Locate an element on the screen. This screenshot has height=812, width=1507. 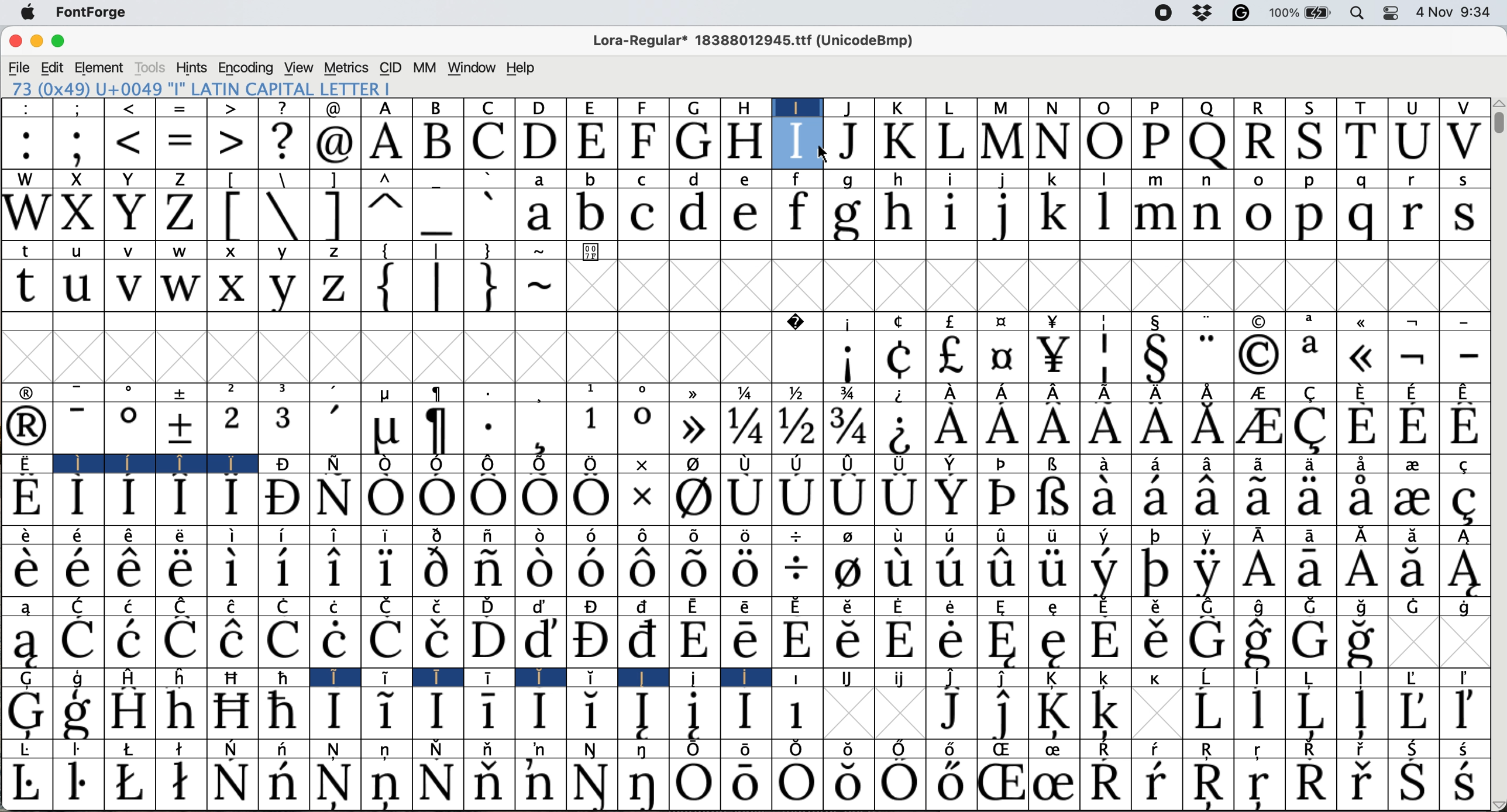
symbol is located at coordinates (1209, 391).